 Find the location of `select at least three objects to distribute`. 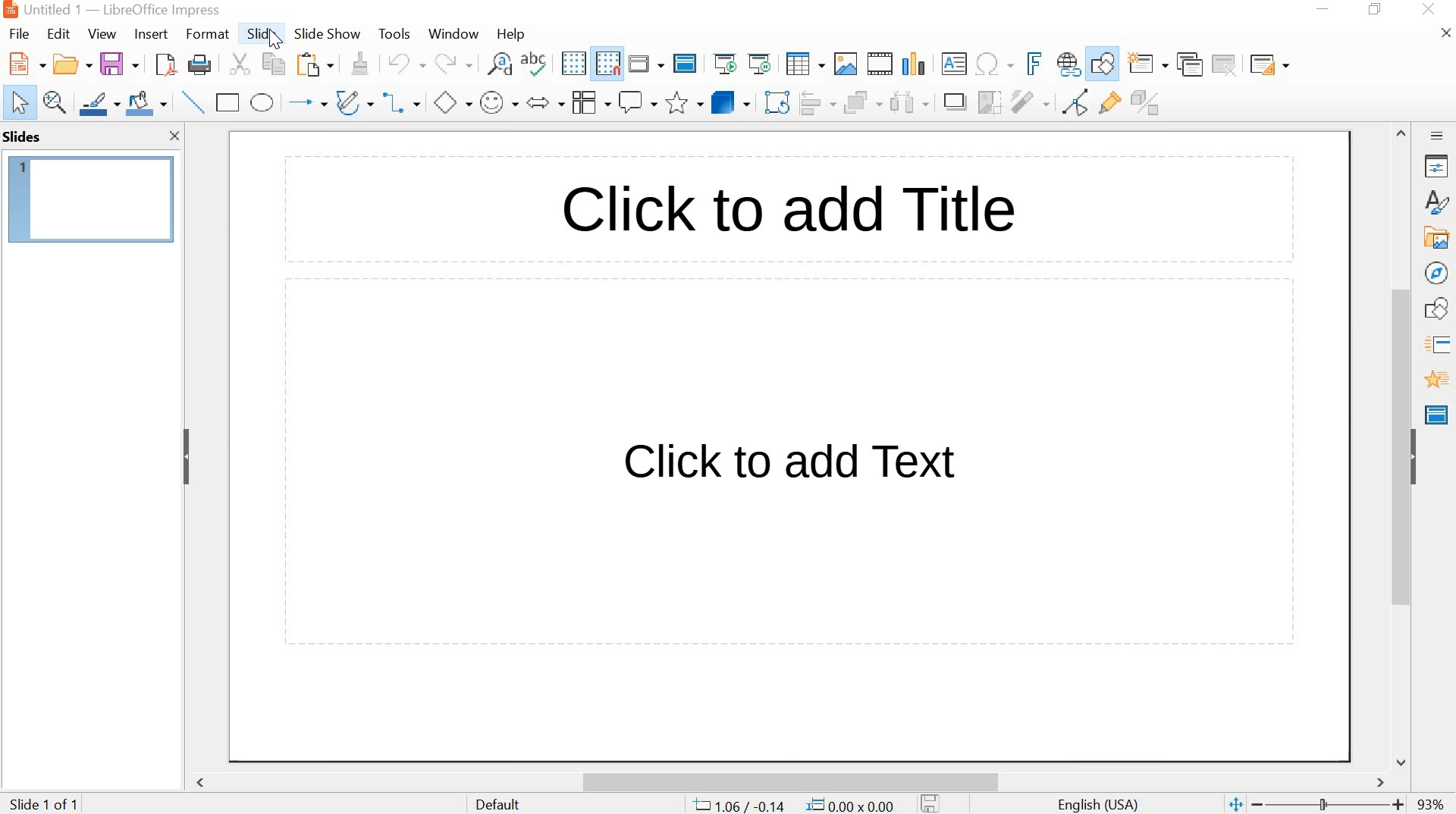

select at least three objects to distribute is located at coordinates (908, 102).